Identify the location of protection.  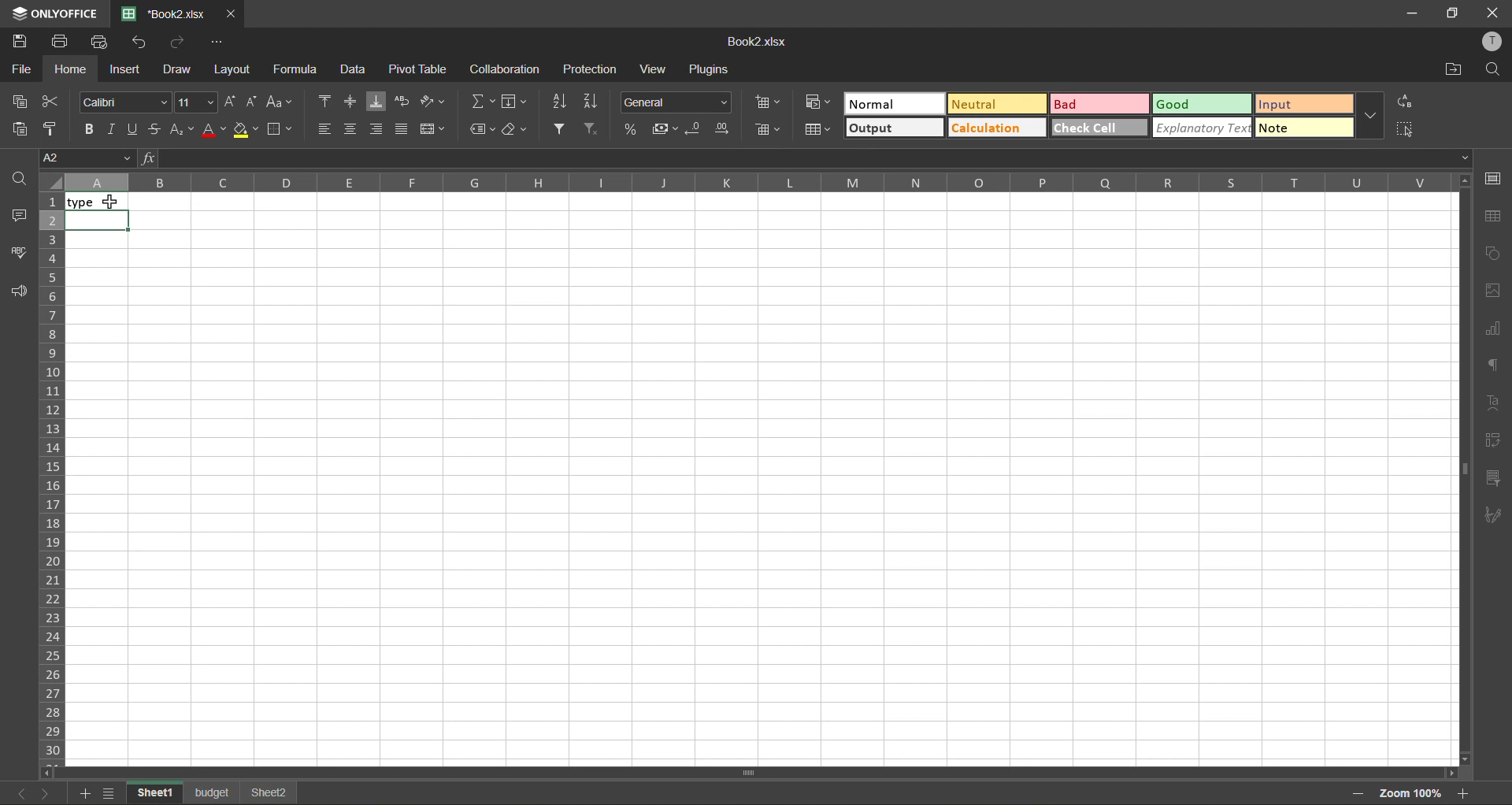
(591, 71).